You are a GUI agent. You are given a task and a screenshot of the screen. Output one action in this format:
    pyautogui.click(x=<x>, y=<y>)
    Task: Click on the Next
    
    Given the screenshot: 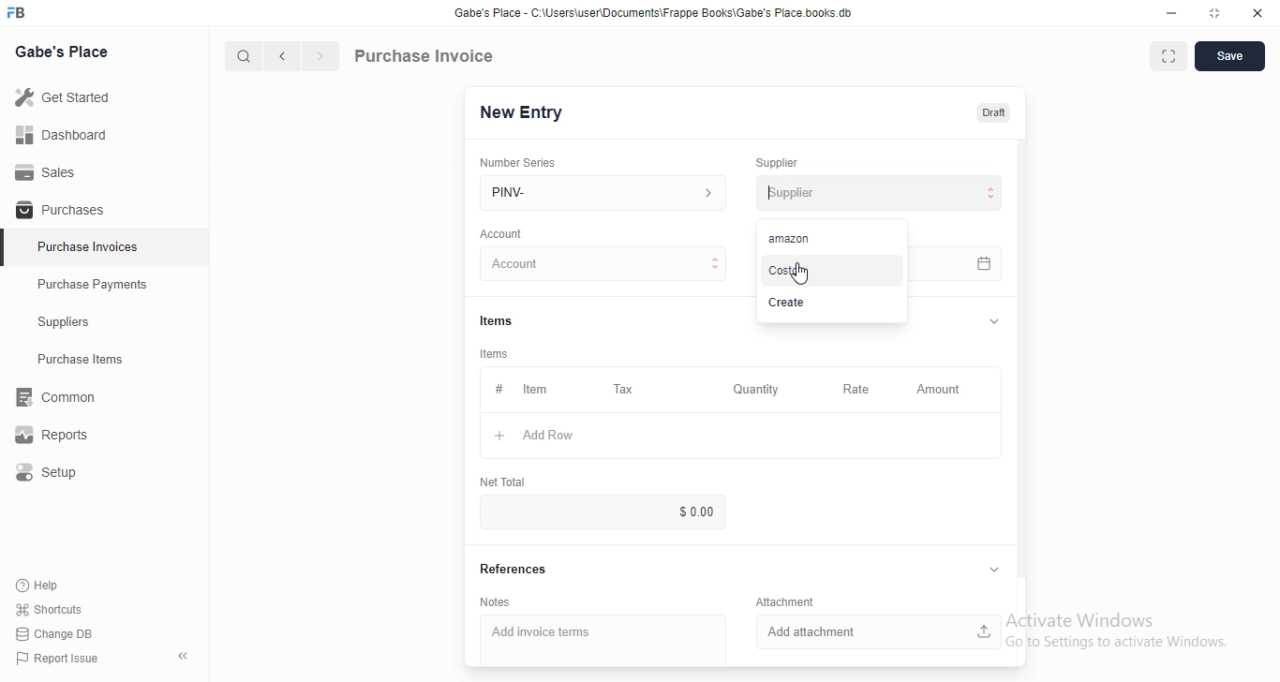 What is the action you would take?
    pyautogui.click(x=322, y=56)
    